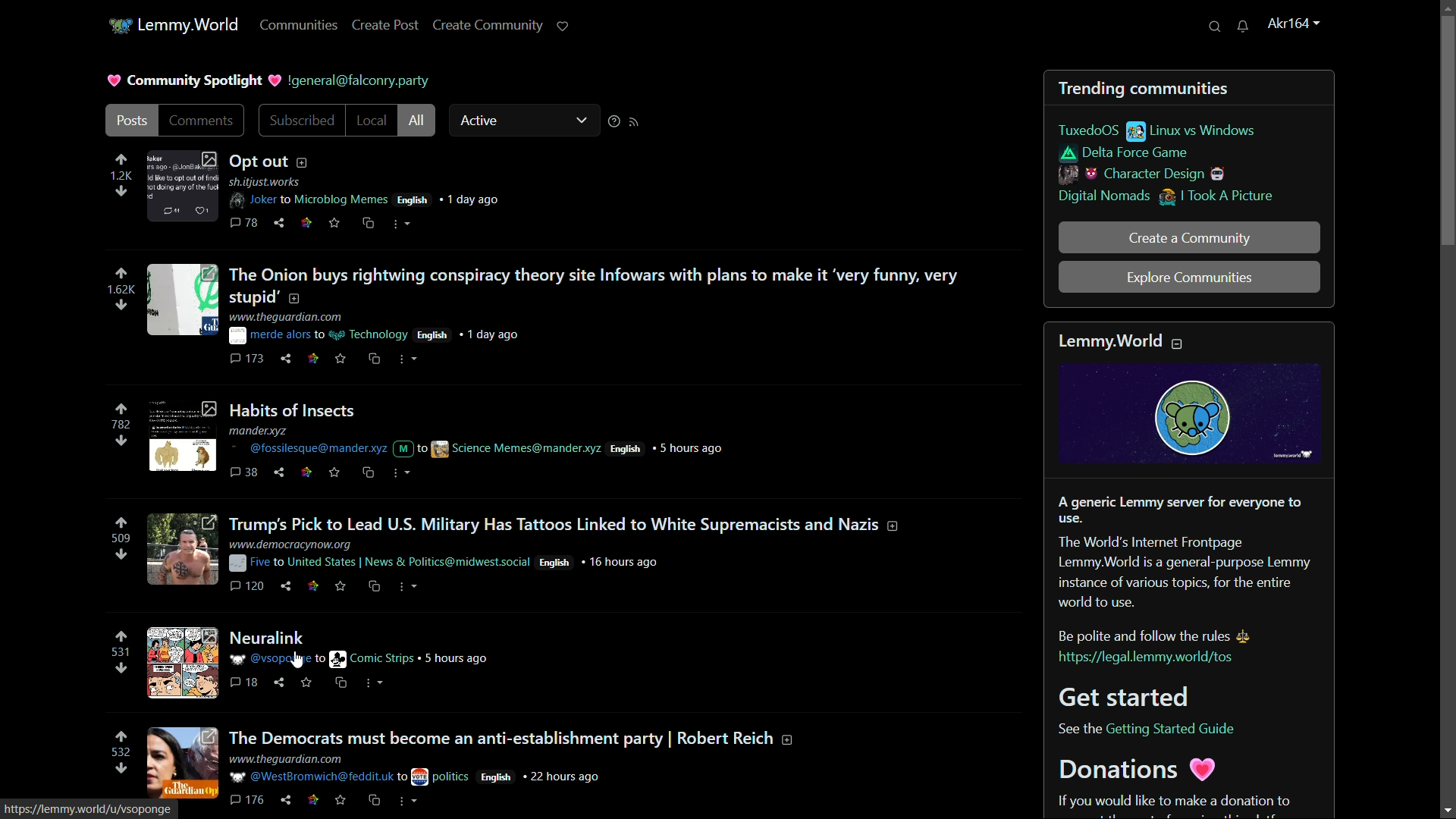 The height and width of the screenshot is (819, 1456). I want to click on rss, so click(633, 122).